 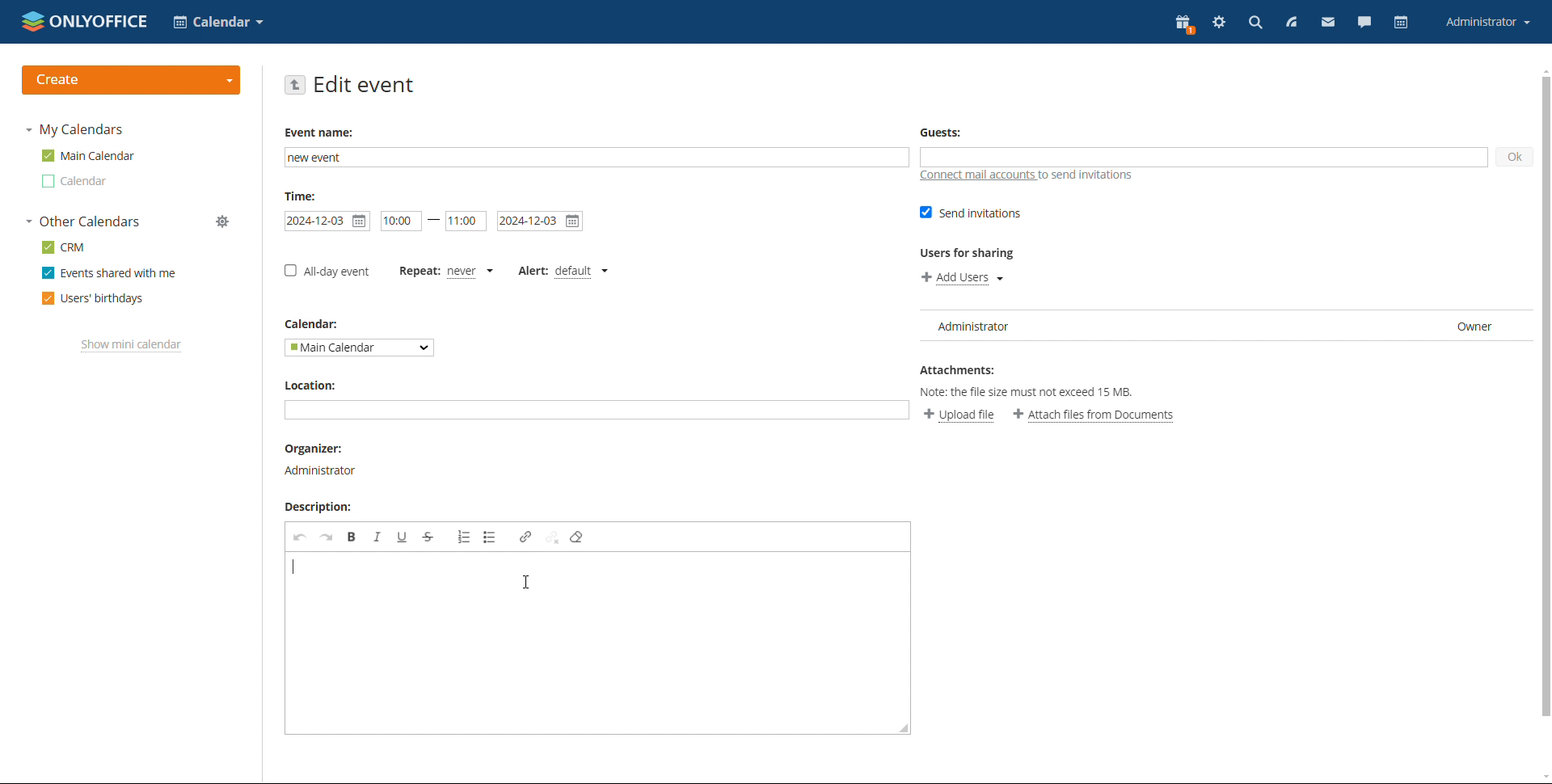 What do you see at coordinates (1028, 176) in the screenshot?
I see `connect mail accounts to send invitations` at bounding box center [1028, 176].